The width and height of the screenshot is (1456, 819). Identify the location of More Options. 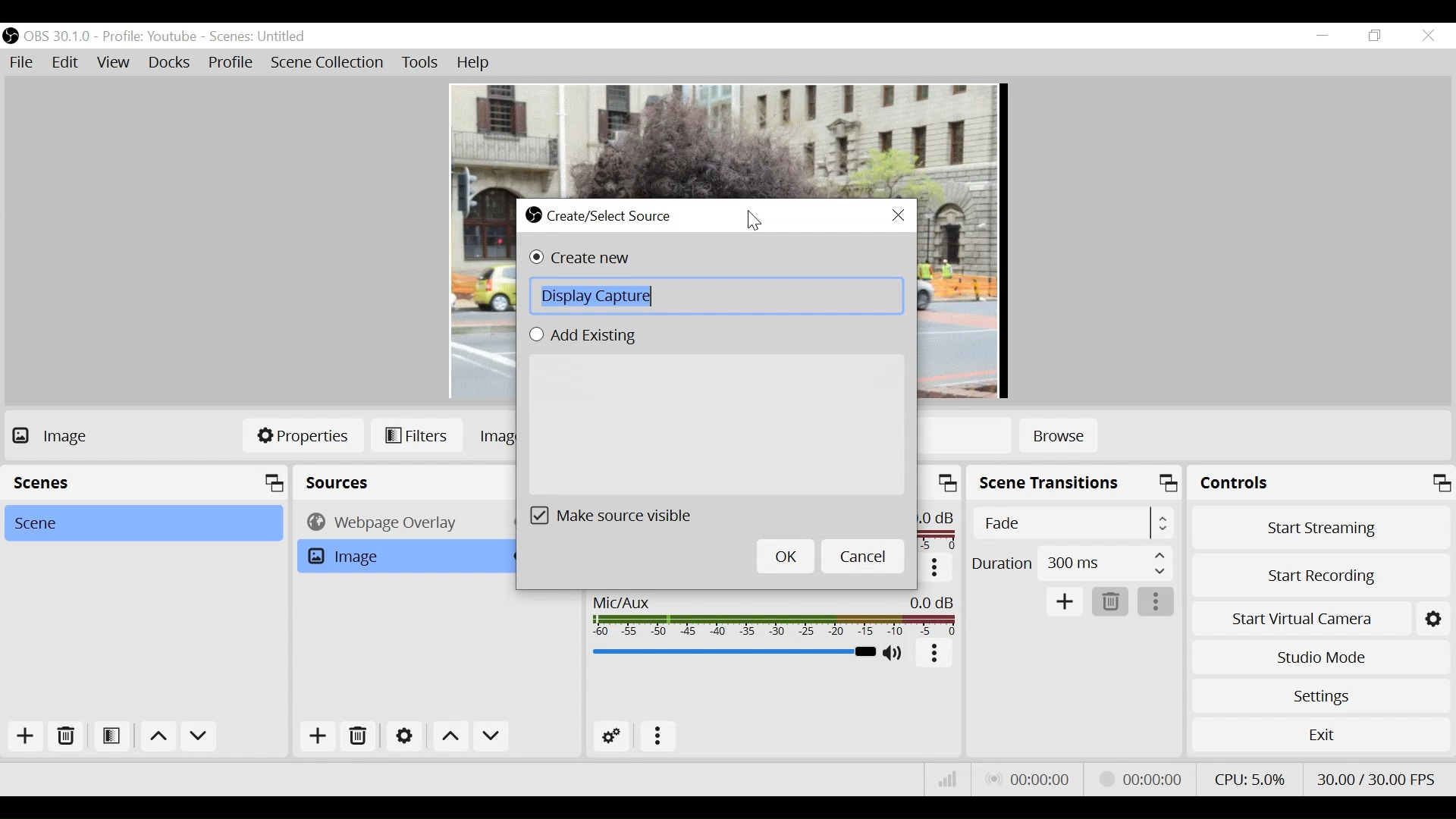
(657, 739).